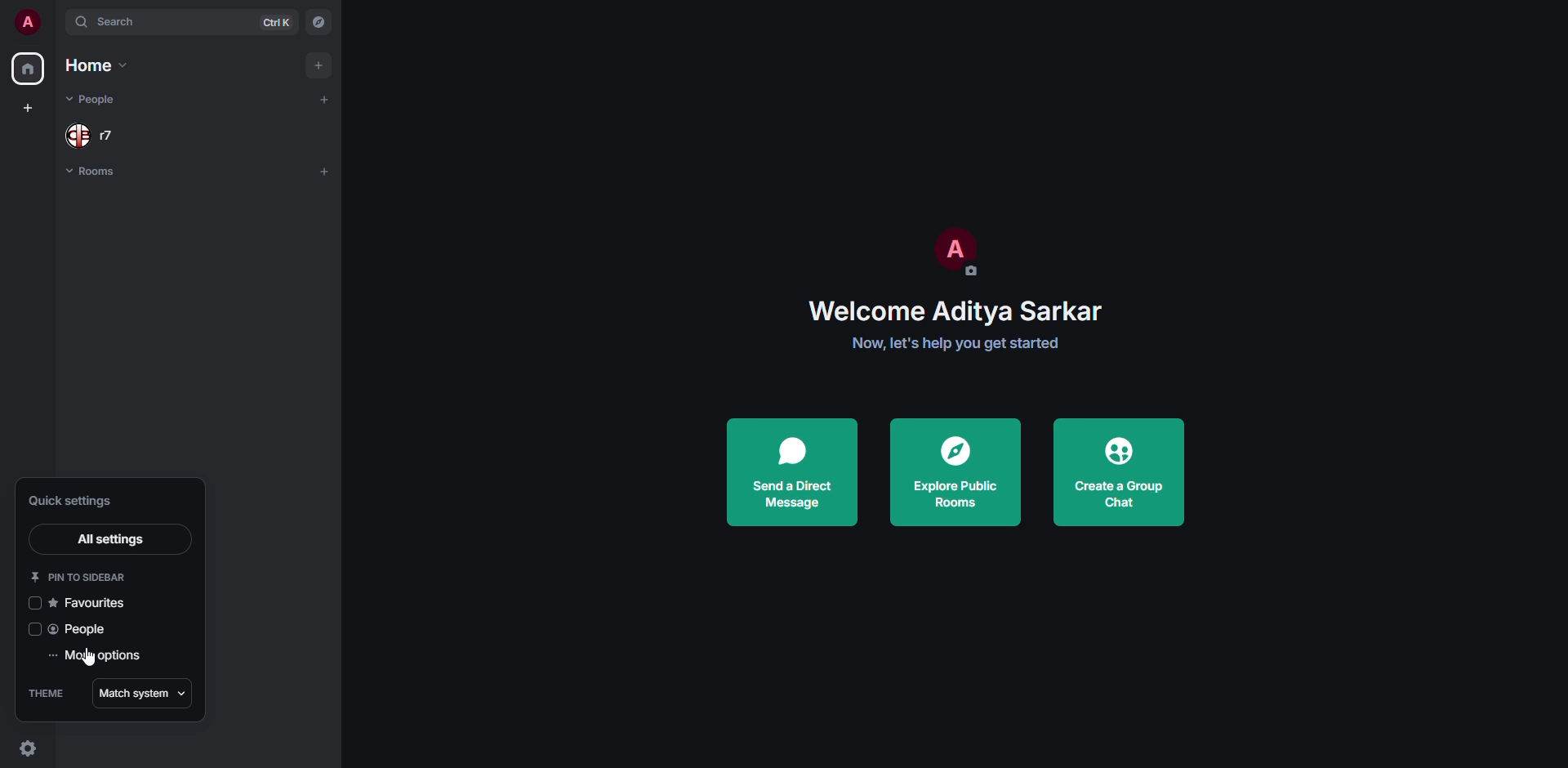 This screenshot has height=768, width=1568. What do you see at coordinates (27, 106) in the screenshot?
I see `create space` at bounding box center [27, 106].